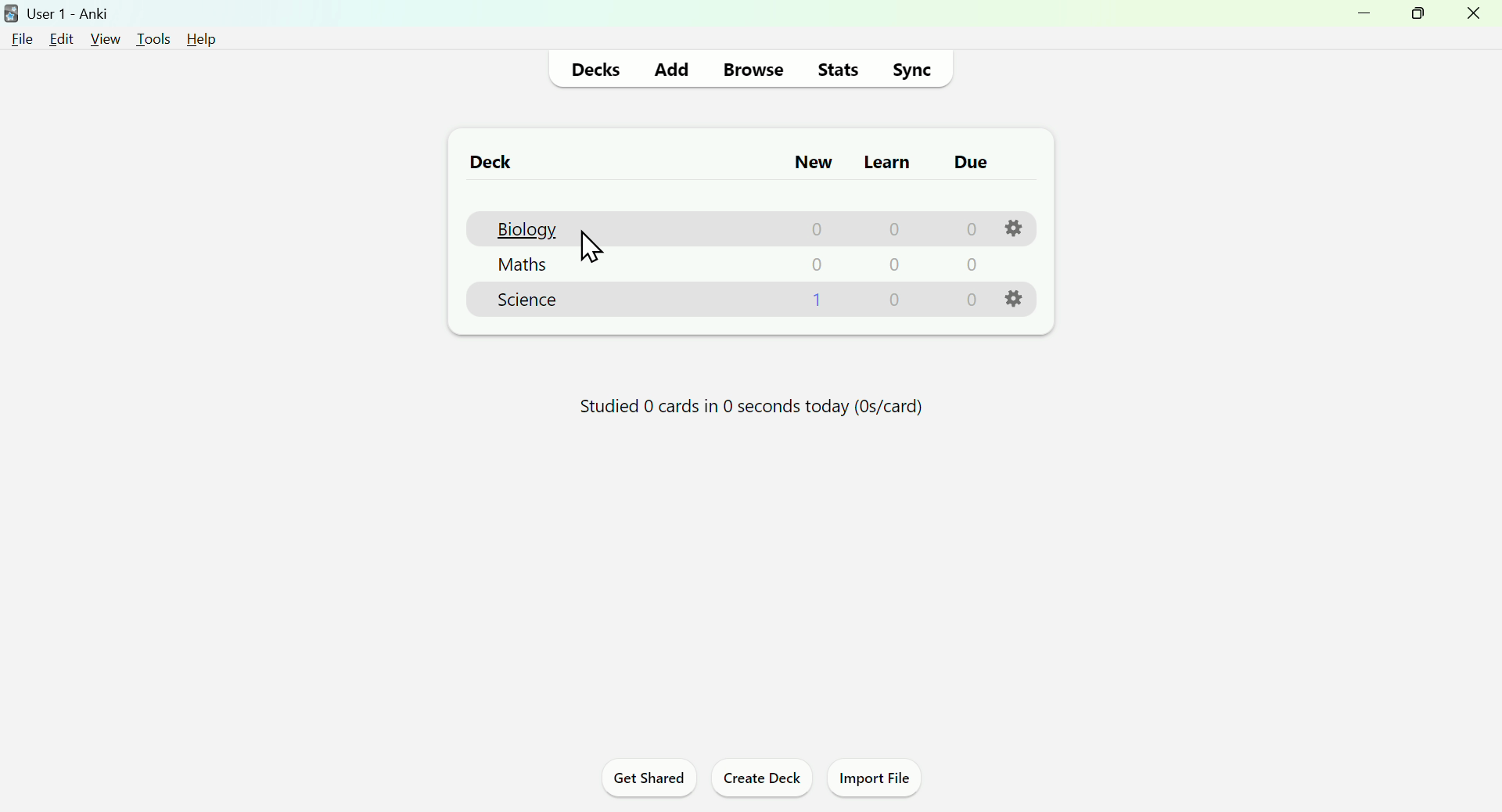  I want to click on 0, so click(893, 268).